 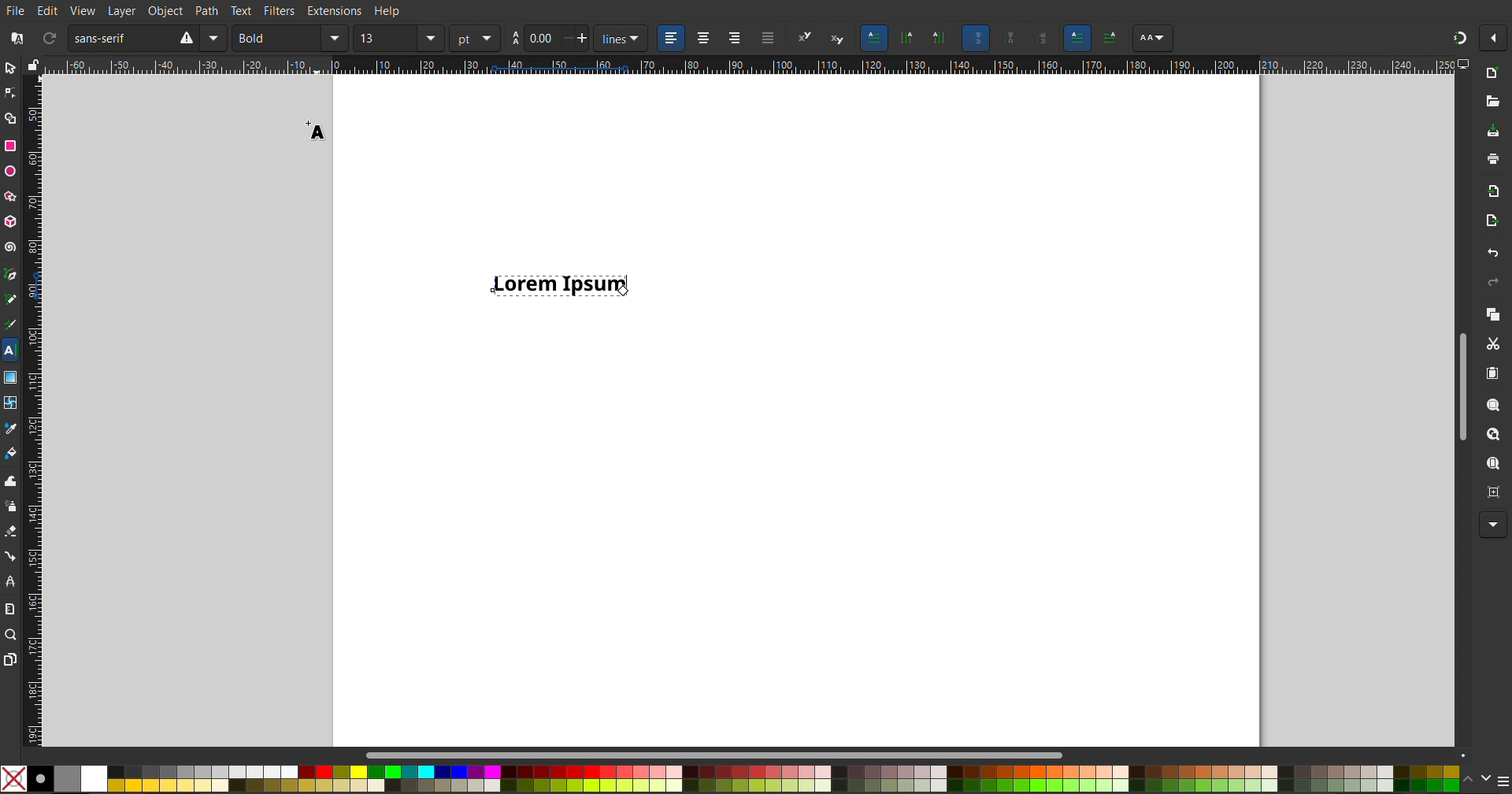 I want to click on Options, so click(x=1496, y=39).